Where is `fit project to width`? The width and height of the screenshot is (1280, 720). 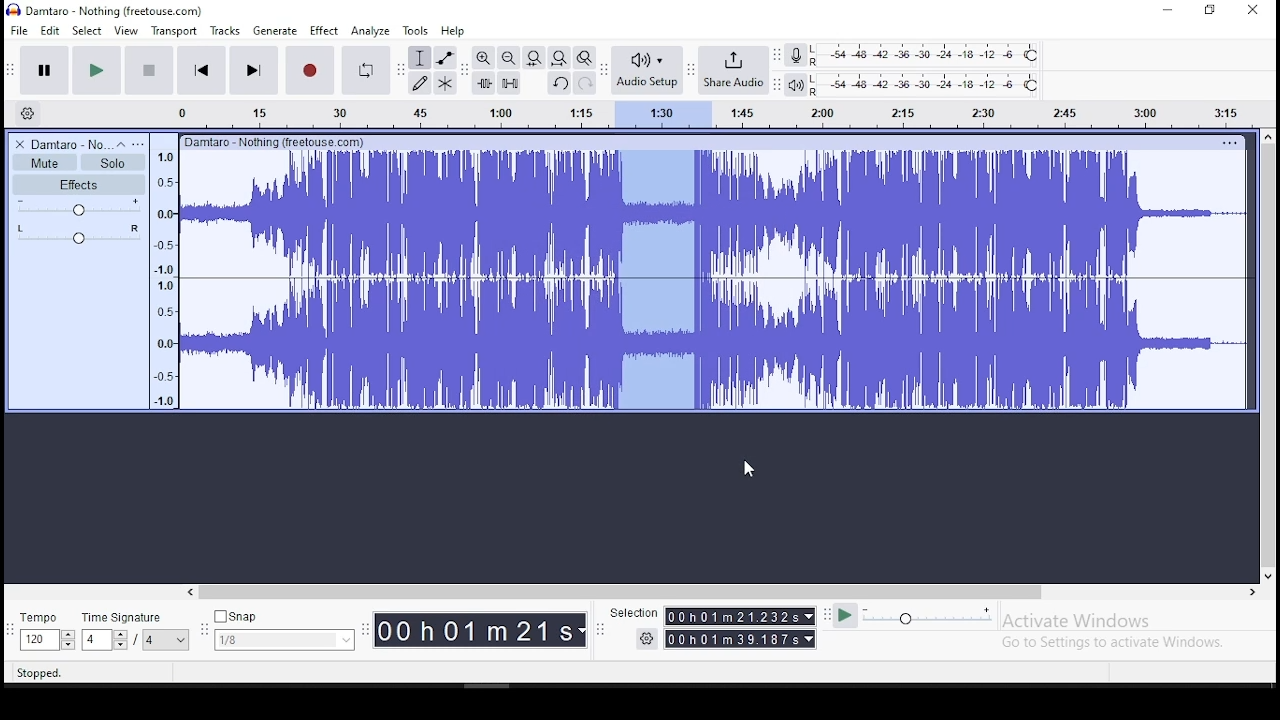
fit project to width is located at coordinates (559, 57).